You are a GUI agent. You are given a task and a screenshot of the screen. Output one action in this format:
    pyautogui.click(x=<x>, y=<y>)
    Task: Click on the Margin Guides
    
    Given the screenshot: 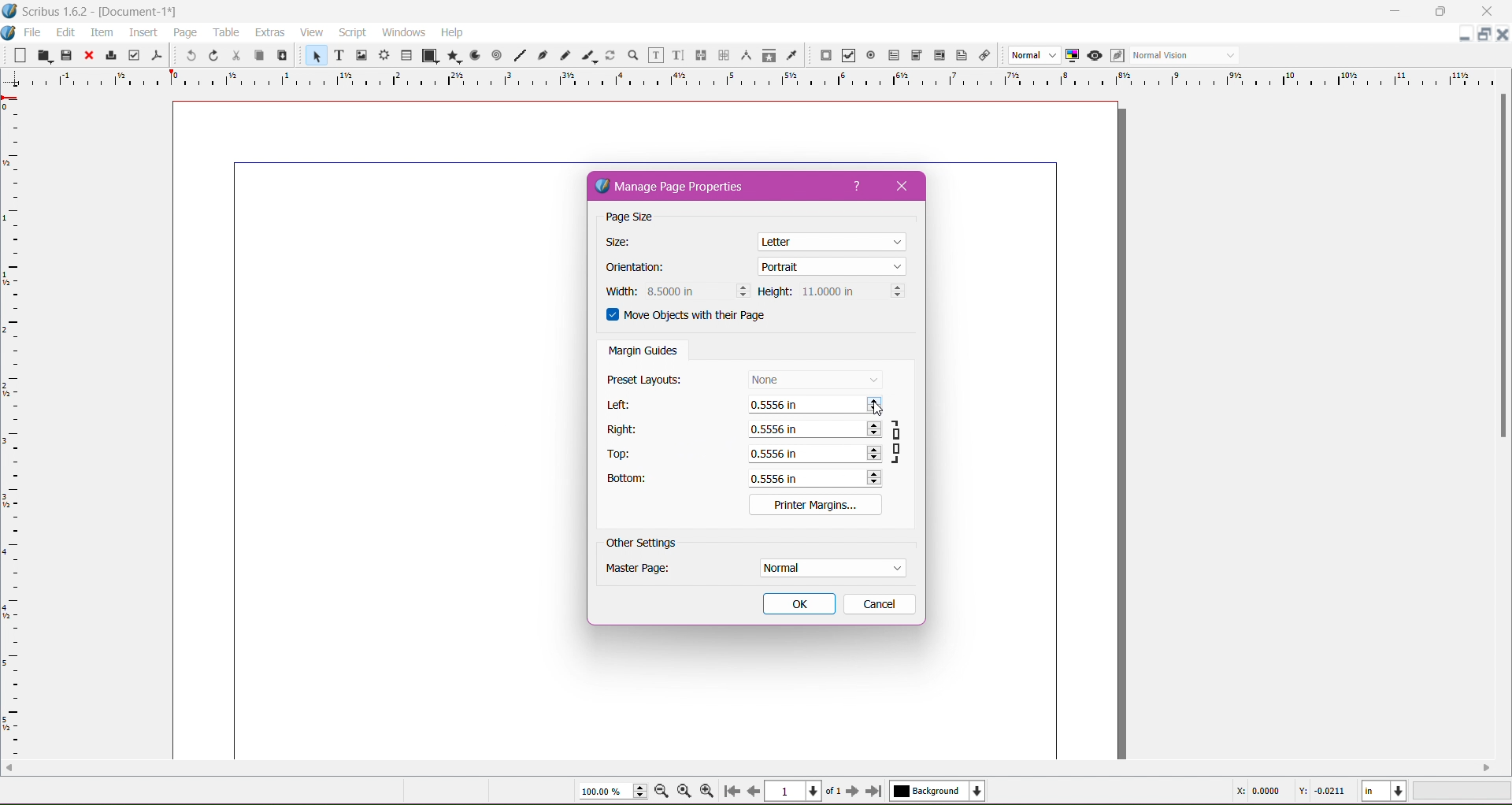 What is the action you would take?
    pyautogui.click(x=643, y=352)
    